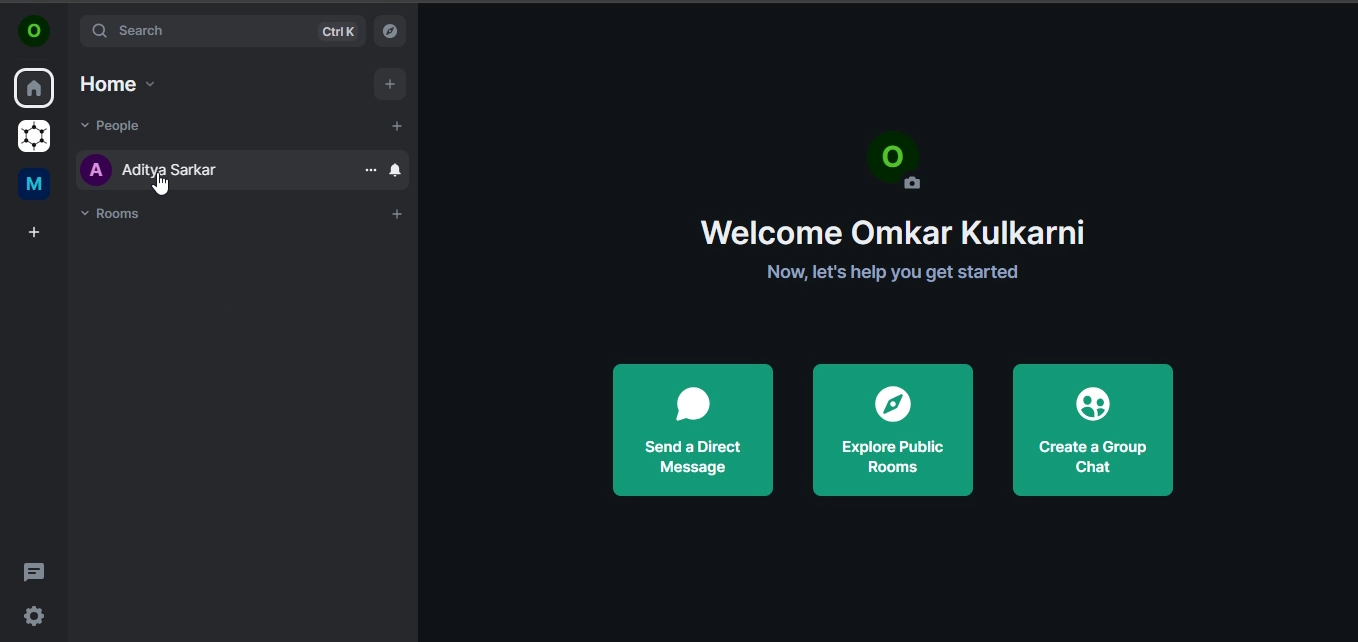  Describe the element at coordinates (892, 231) in the screenshot. I see `Welcome Omkar Kulkarni` at that location.